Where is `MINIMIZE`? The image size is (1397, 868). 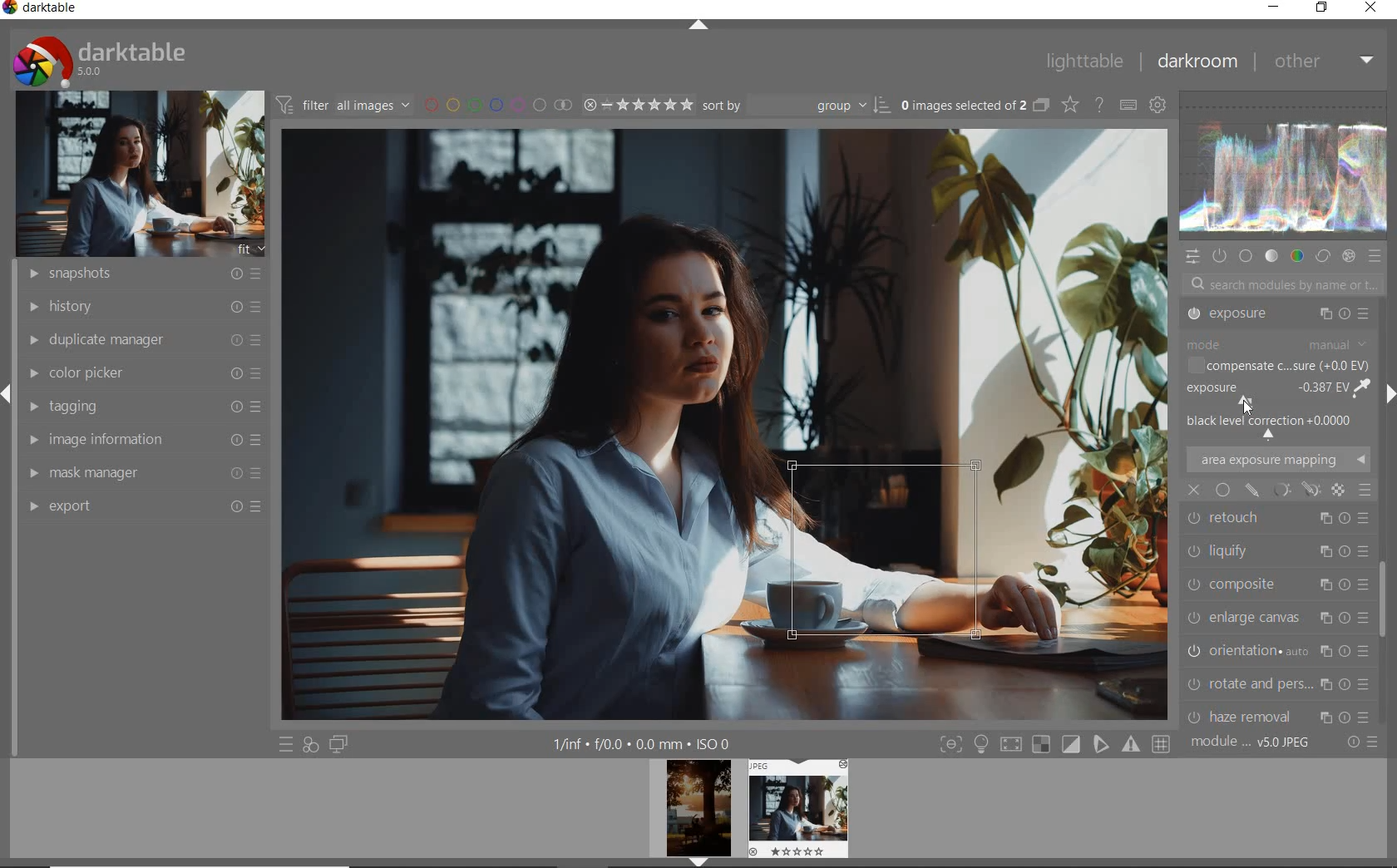
MINIMIZE is located at coordinates (1271, 7).